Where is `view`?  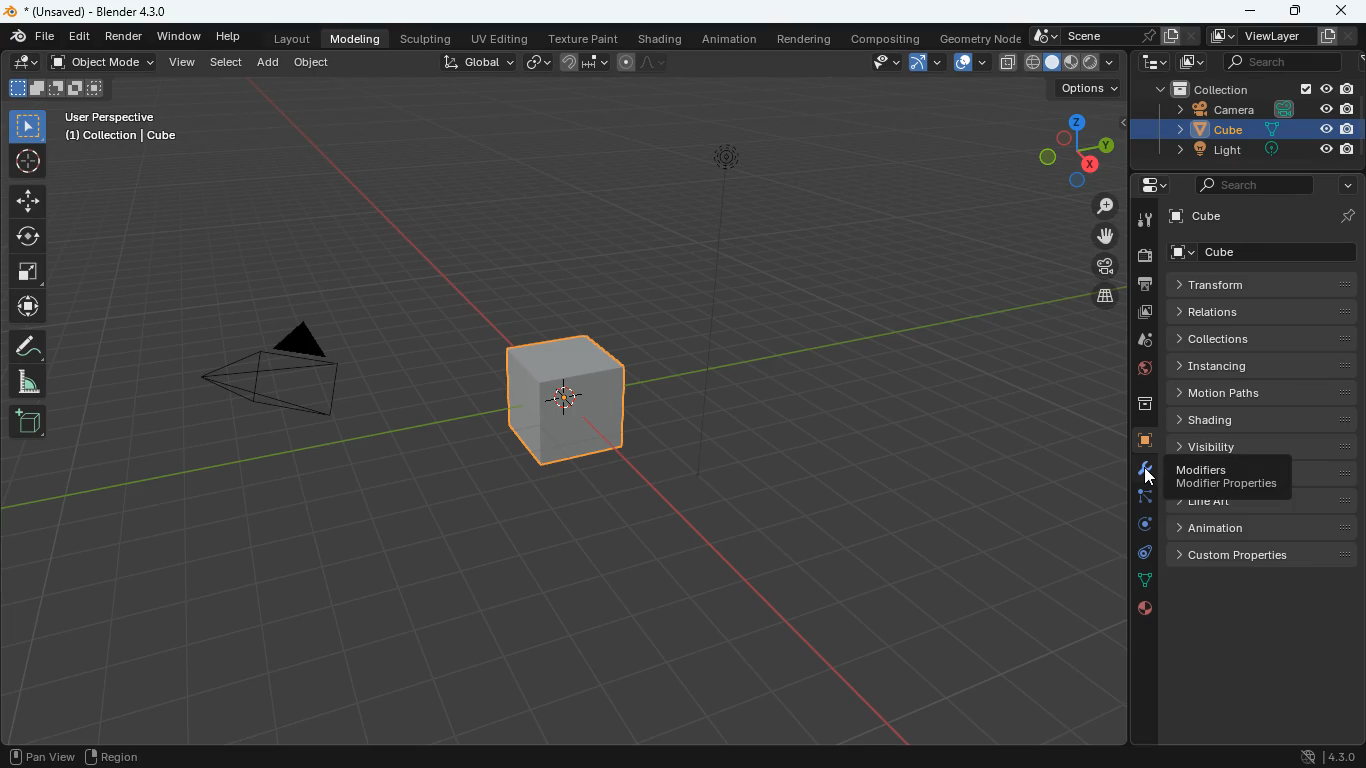
view is located at coordinates (183, 63).